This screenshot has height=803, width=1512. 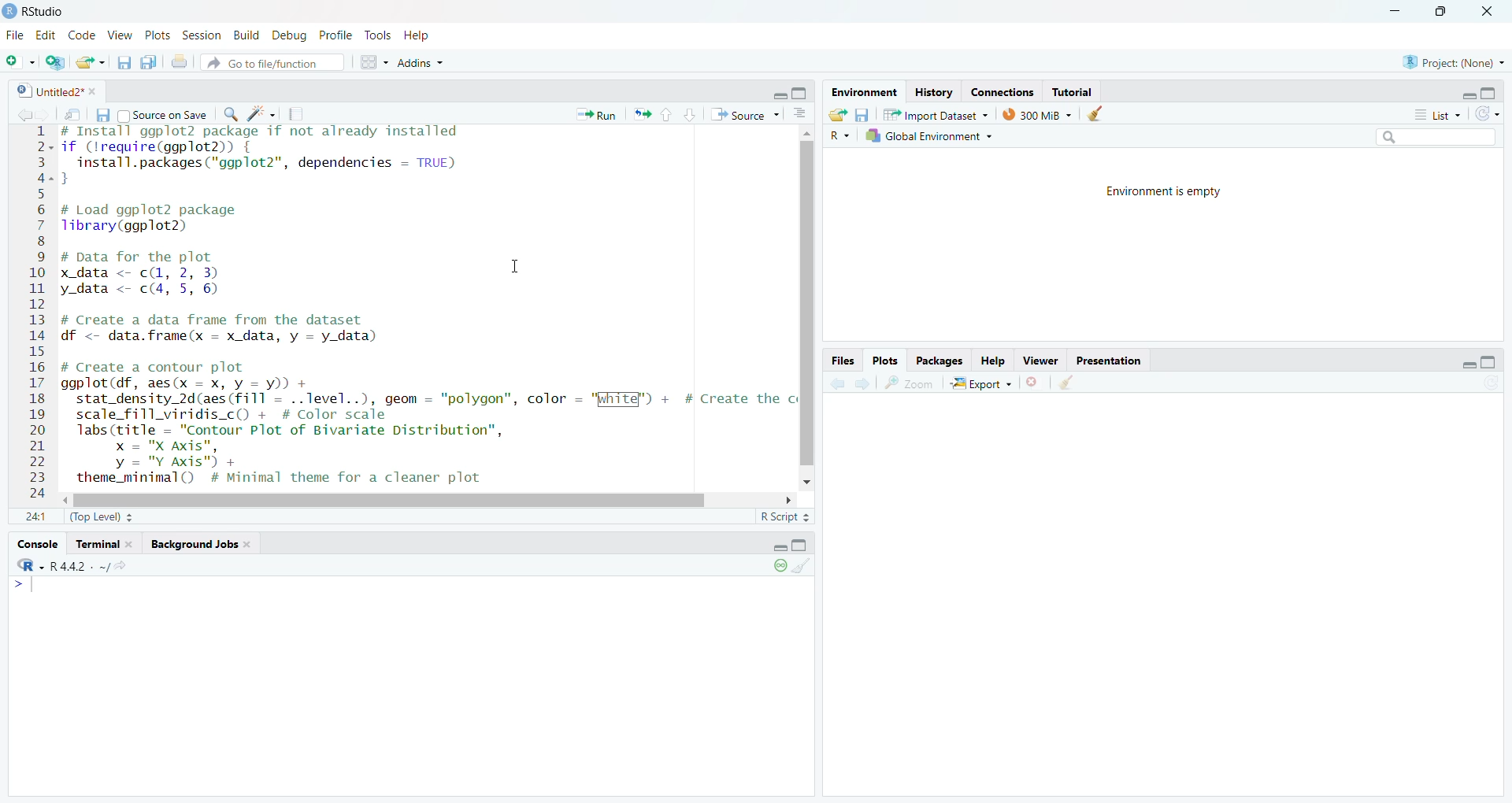 I want to click on print the current file, so click(x=176, y=61).